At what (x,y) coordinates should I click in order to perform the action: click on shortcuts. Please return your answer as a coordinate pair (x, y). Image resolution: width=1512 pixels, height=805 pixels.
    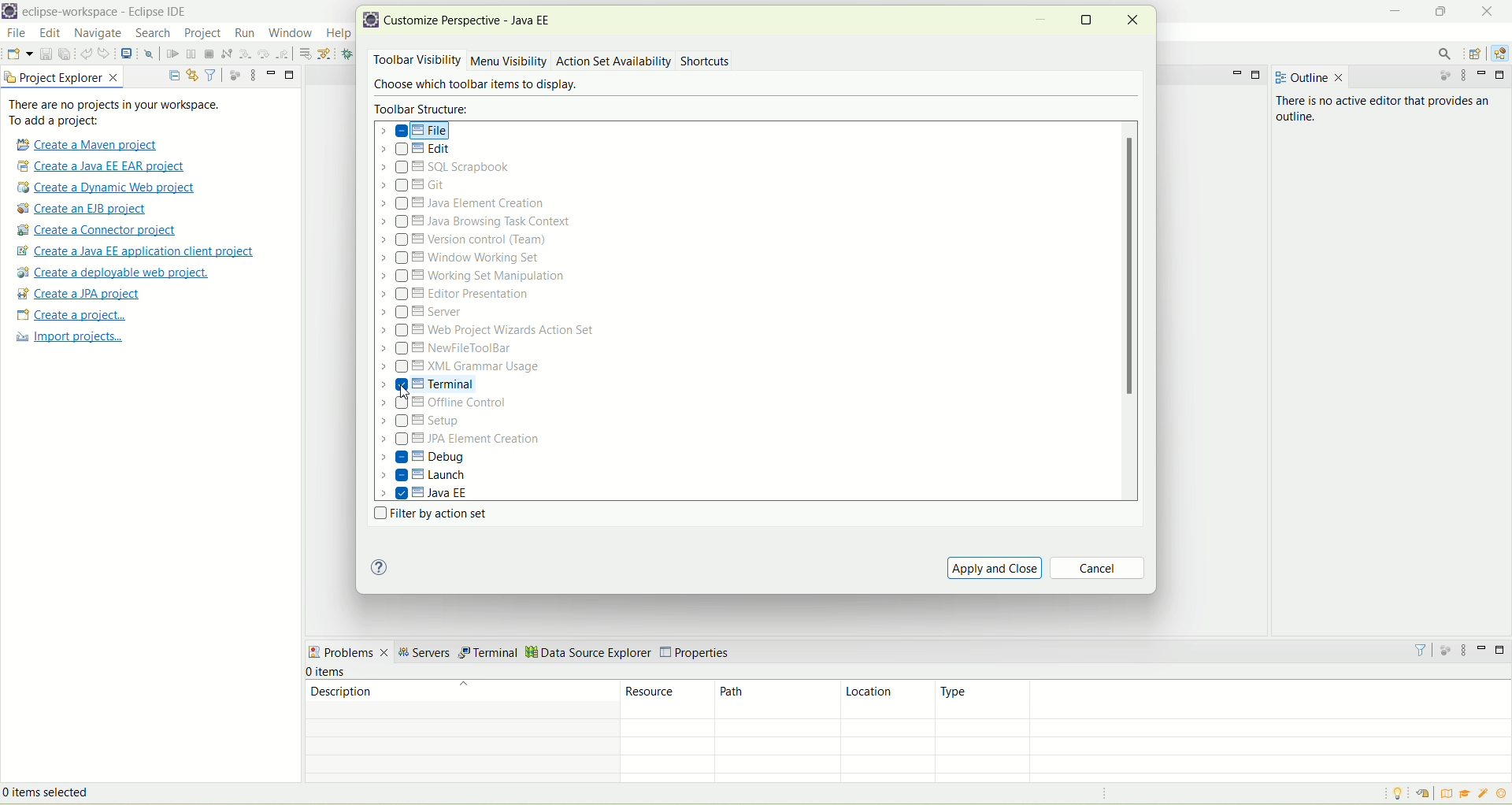
    Looking at the image, I should click on (706, 62).